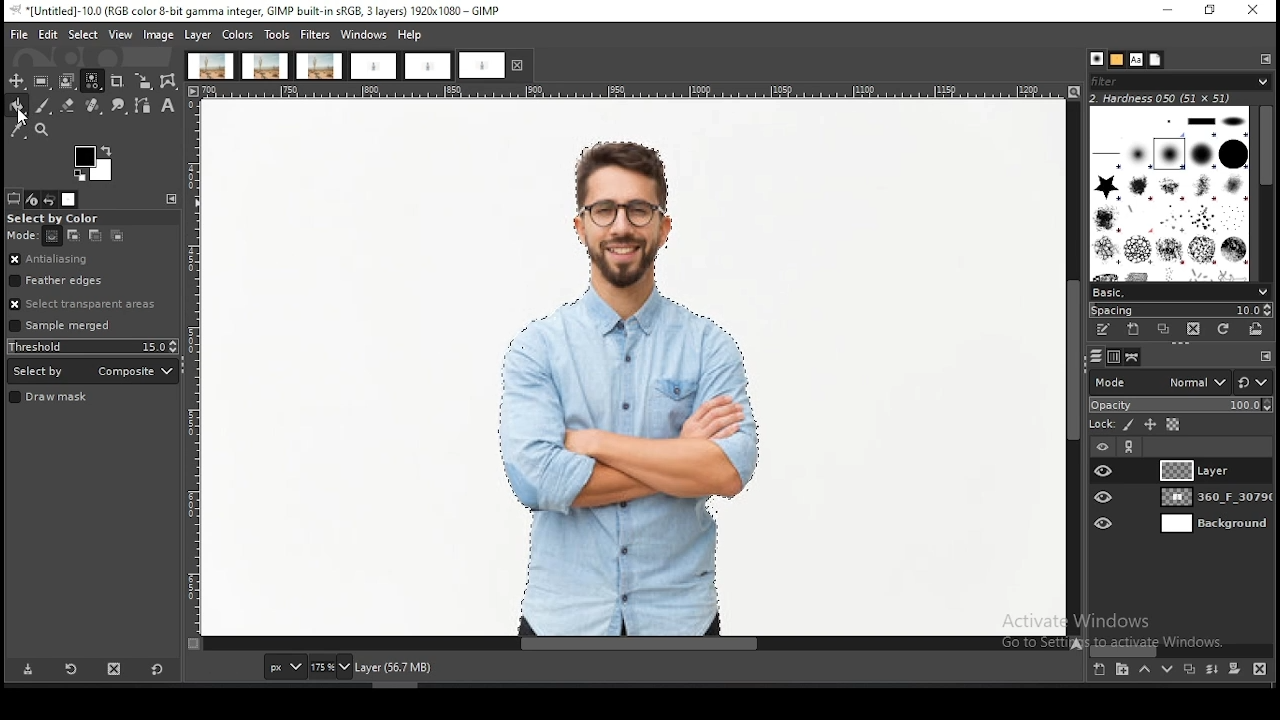  I want to click on restore, so click(1212, 12).